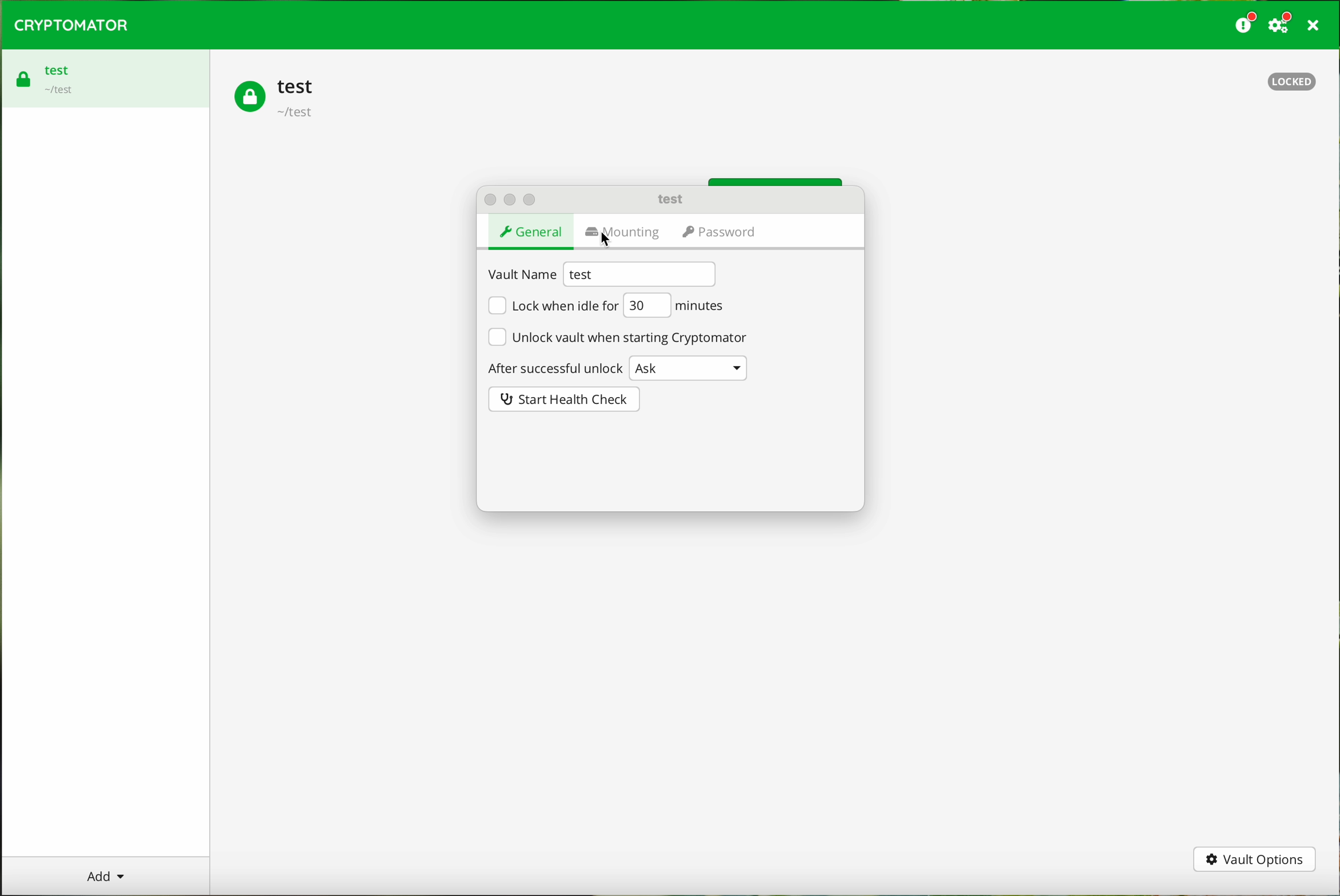  Describe the element at coordinates (671, 198) in the screenshot. I see `test` at that location.